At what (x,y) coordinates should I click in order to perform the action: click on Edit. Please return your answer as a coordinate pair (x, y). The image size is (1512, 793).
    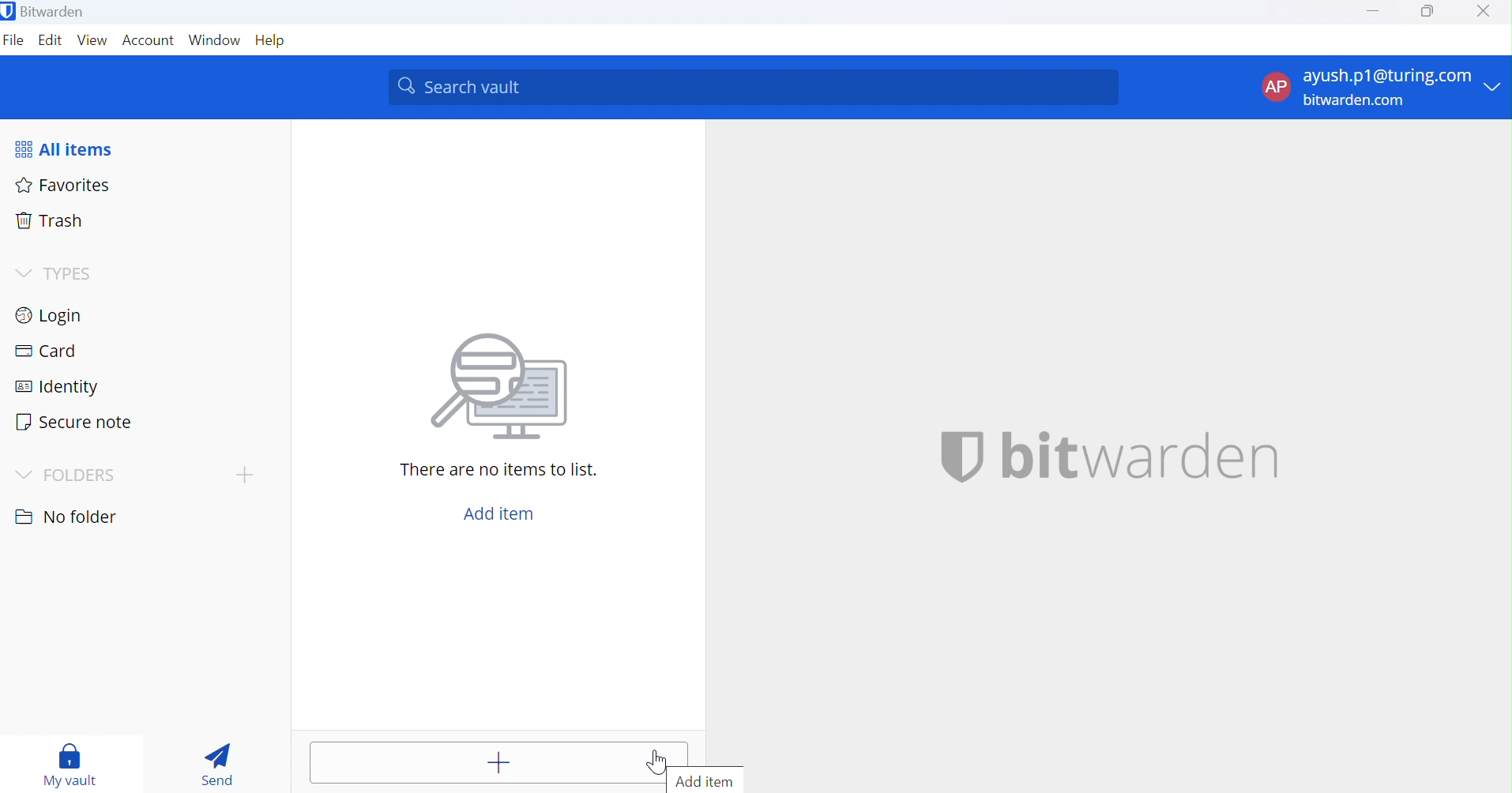
    Looking at the image, I should click on (52, 42).